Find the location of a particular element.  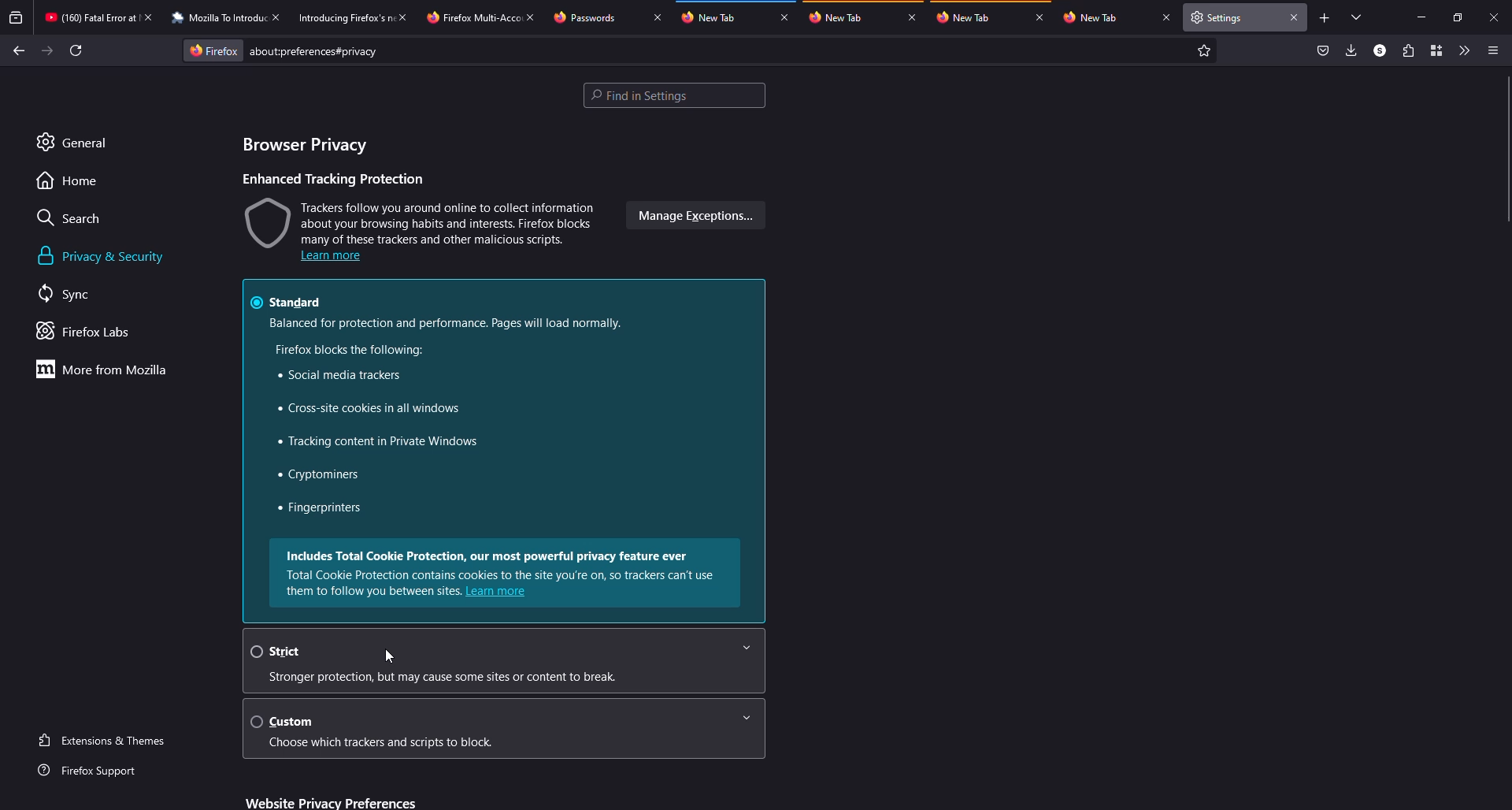

tab is located at coordinates (584, 17).